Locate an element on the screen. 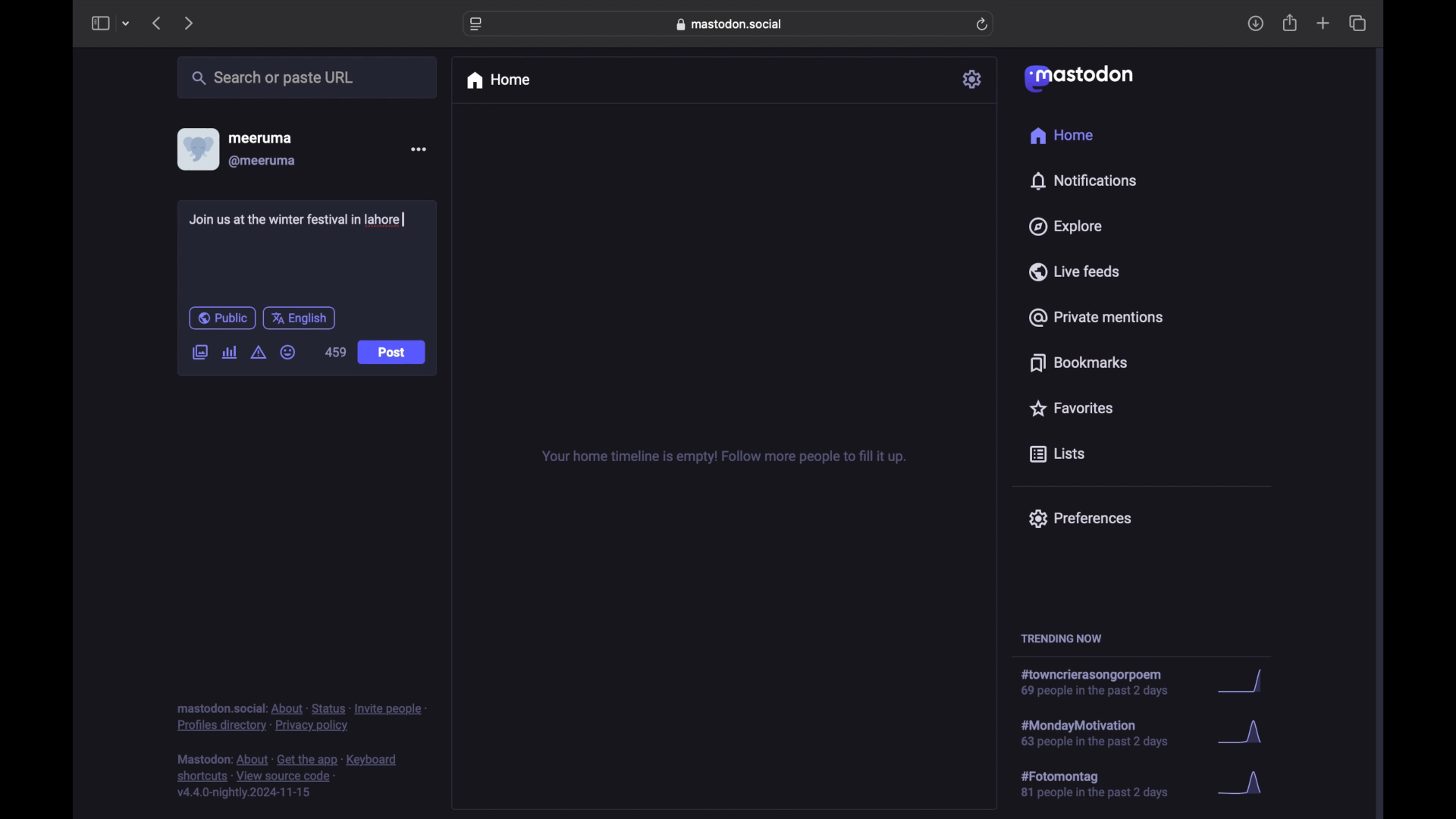 Image resolution: width=1456 pixels, height=819 pixels. search or paste url is located at coordinates (272, 78).